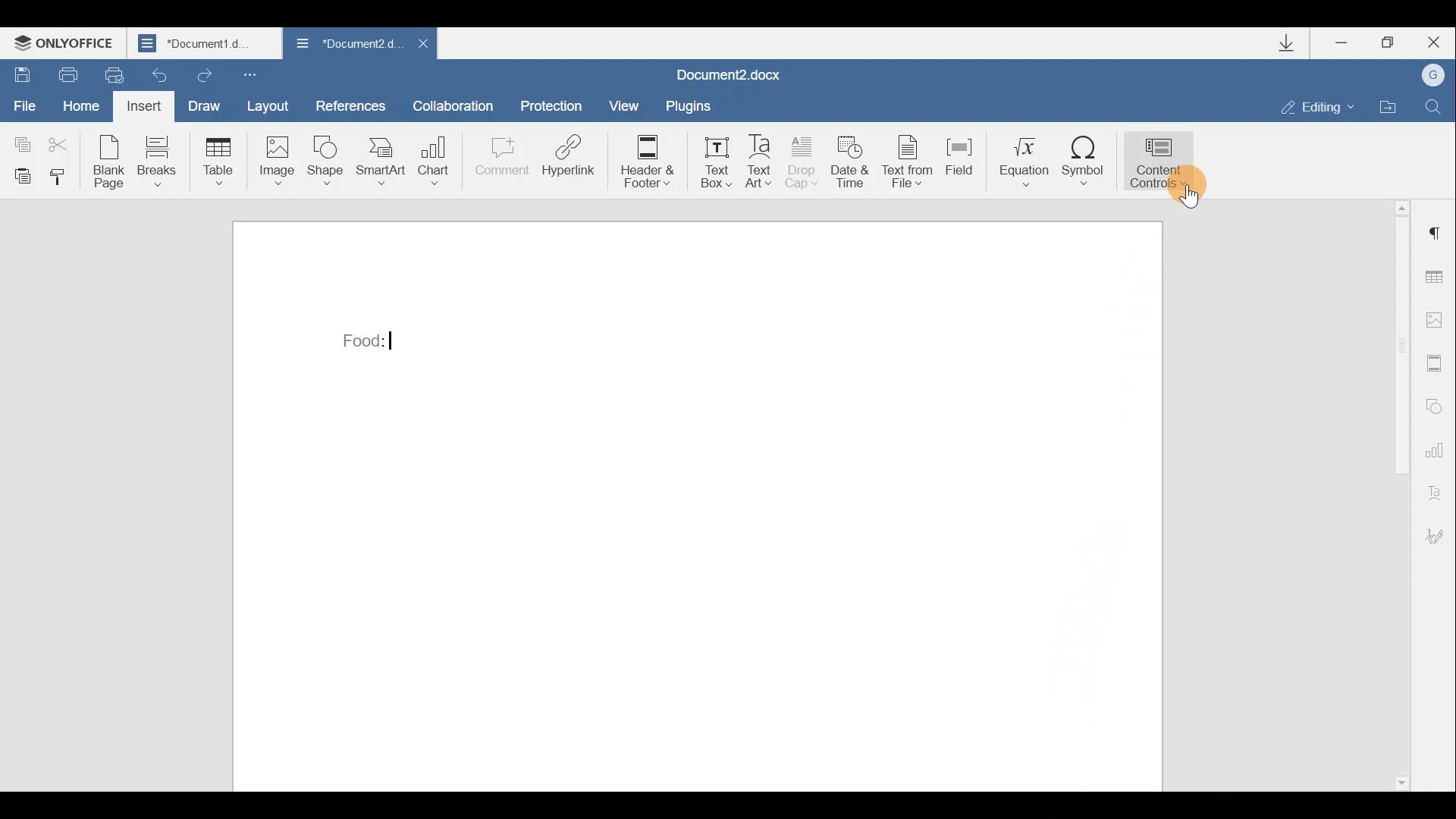 The image size is (1456, 819). Describe the element at coordinates (60, 74) in the screenshot. I see `Print file` at that location.